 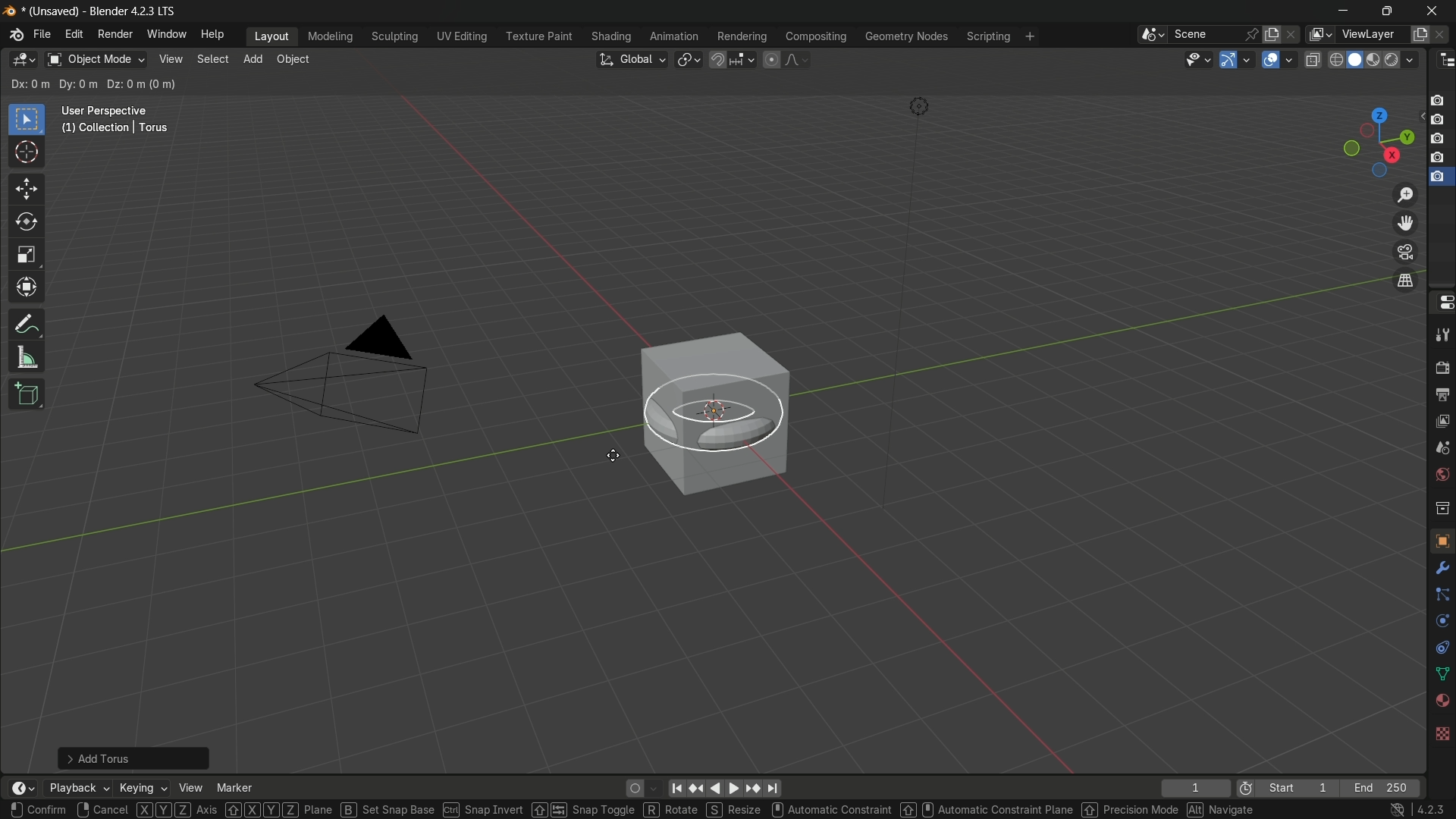 I want to click on toggle x ray, so click(x=1313, y=59).